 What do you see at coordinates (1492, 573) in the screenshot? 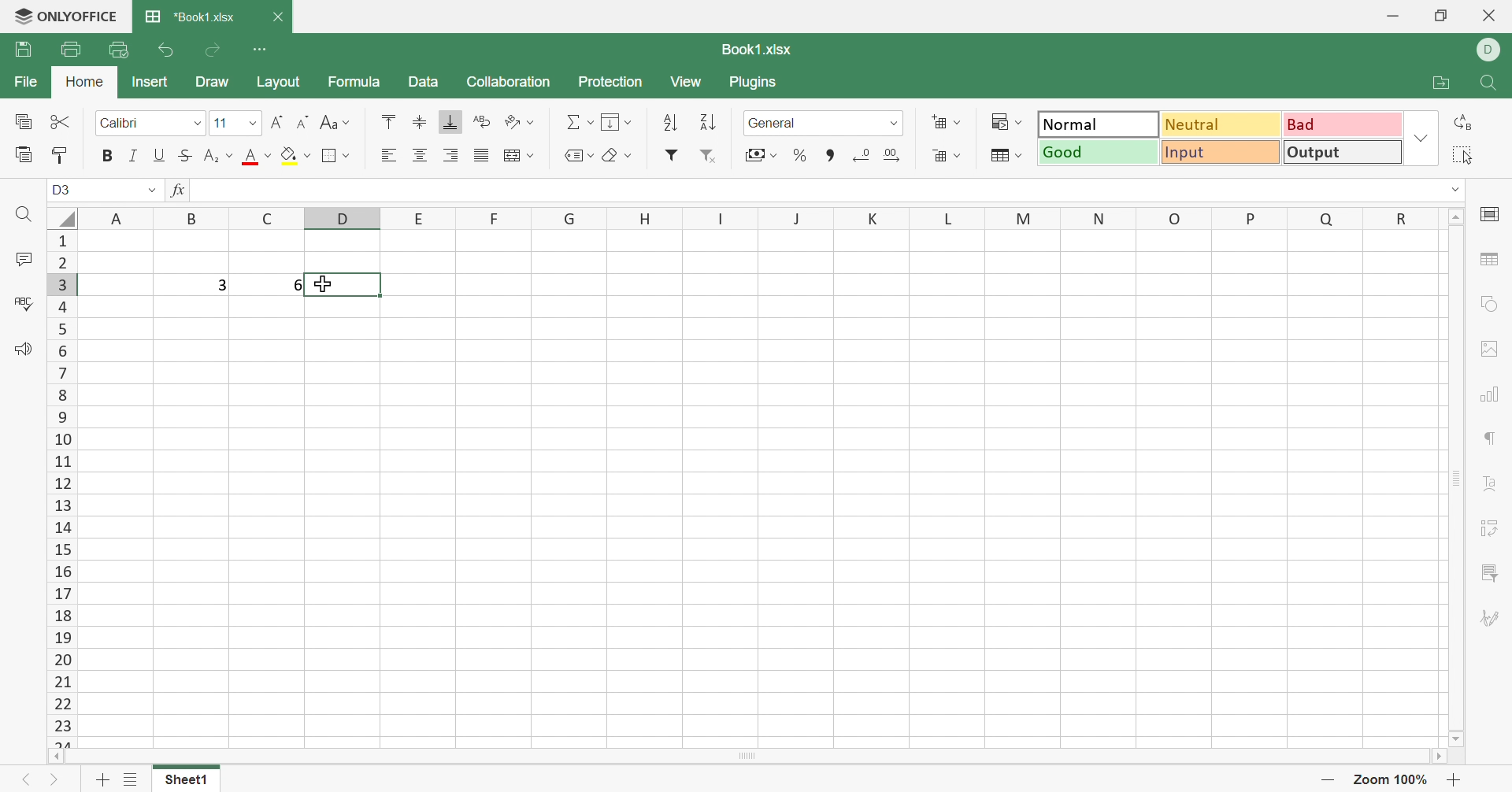
I see `Slicer settings` at bounding box center [1492, 573].